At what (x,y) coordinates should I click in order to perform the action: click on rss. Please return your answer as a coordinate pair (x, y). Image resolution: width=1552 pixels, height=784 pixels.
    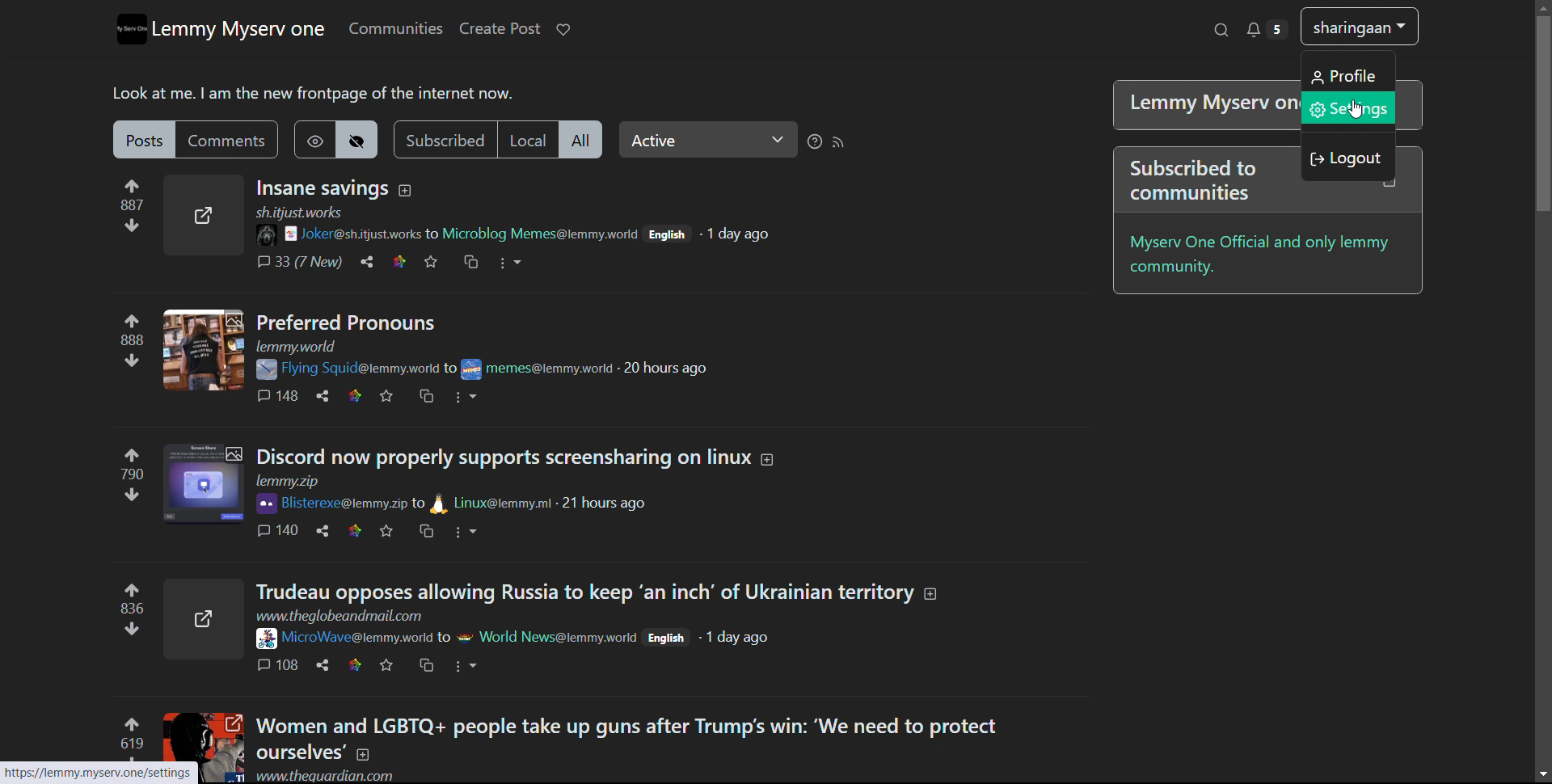
    Looking at the image, I should click on (838, 142).